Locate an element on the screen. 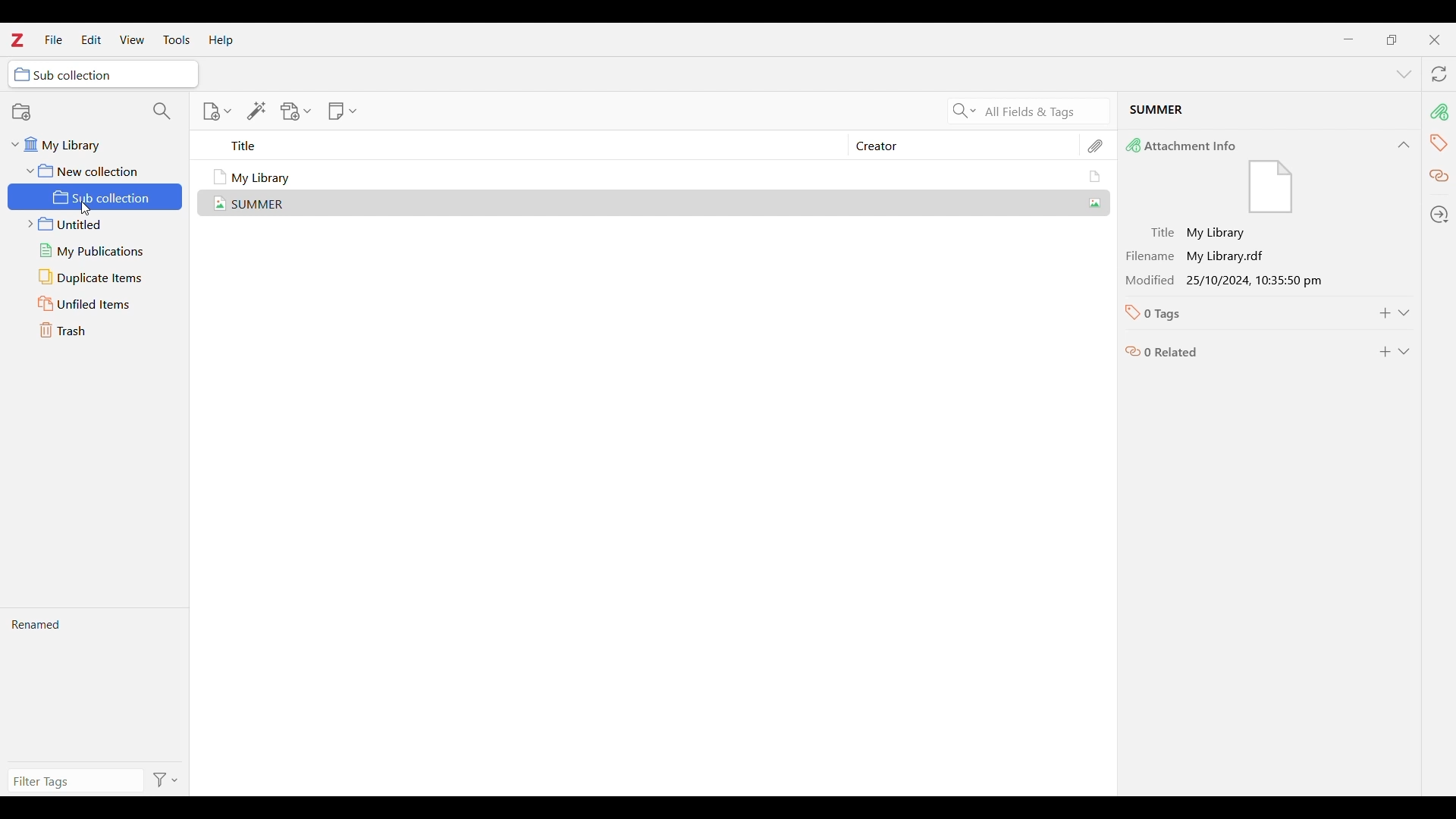 This screenshot has width=1456, height=819. Filter collections is located at coordinates (162, 111).